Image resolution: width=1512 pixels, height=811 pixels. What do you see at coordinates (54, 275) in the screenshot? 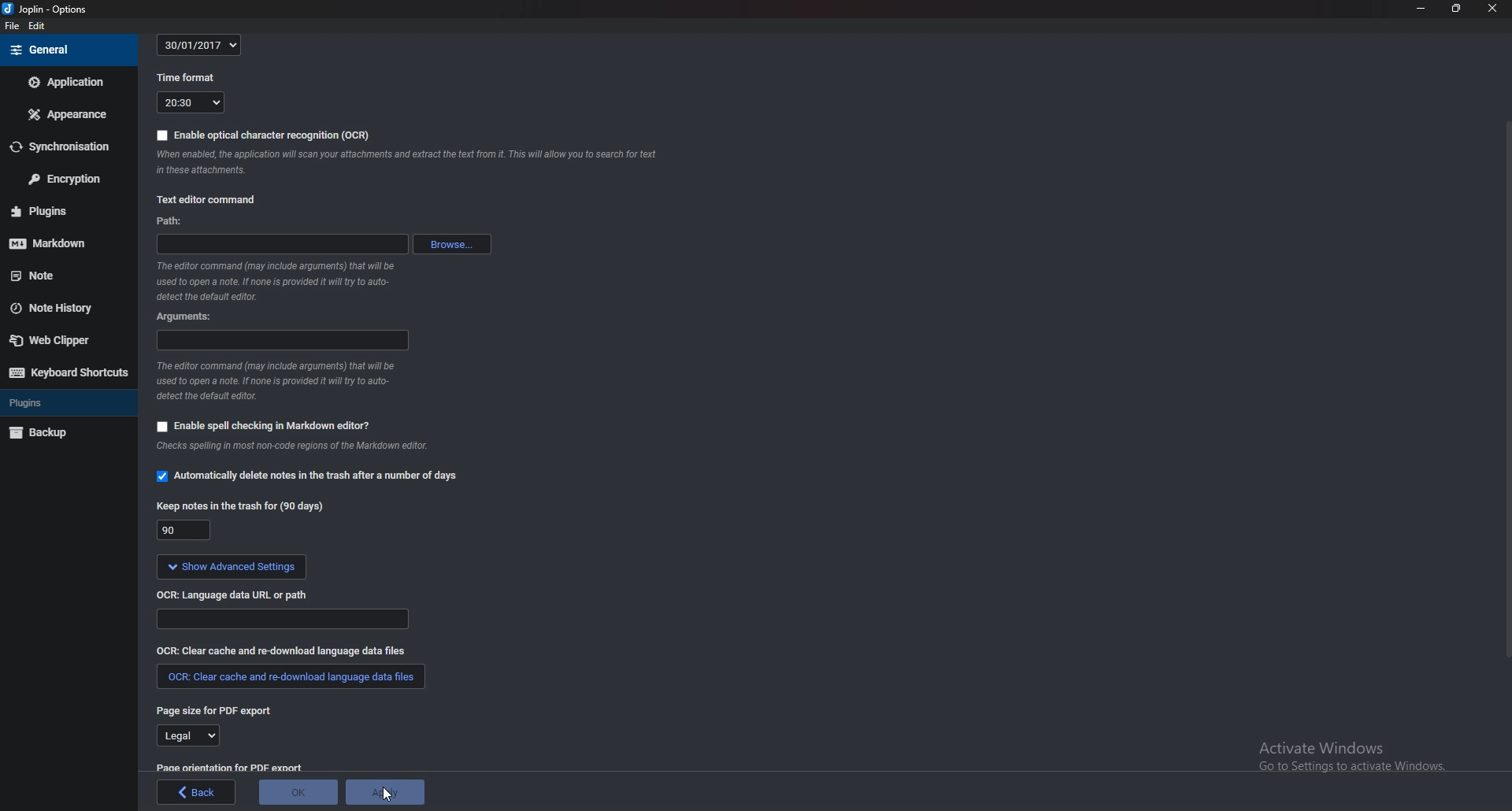
I see `note` at bounding box center [54, 275].